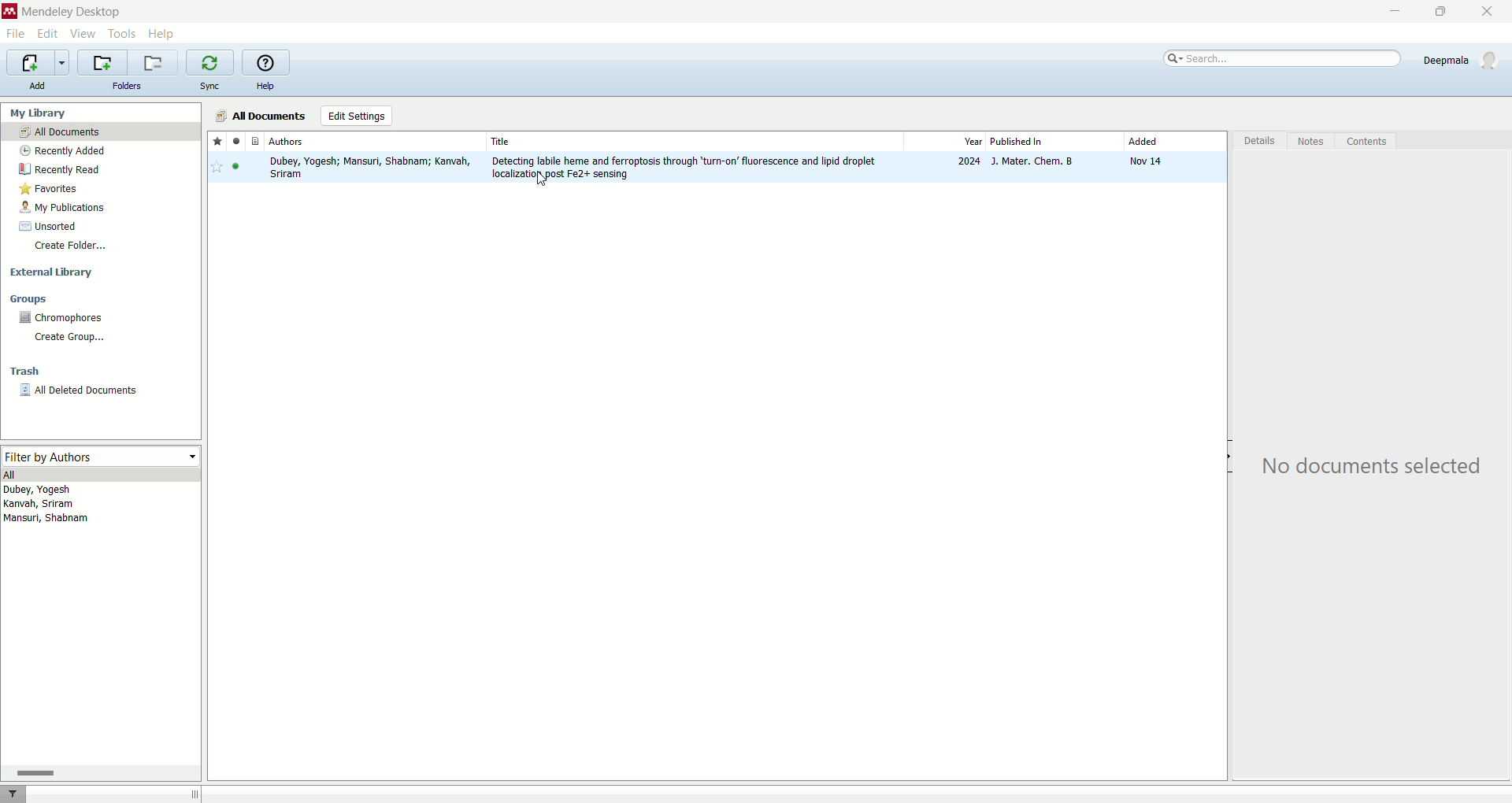 The width and height of the screenshot is (1512, 803). Describe the element at coordinates (102, 62) in the screenshot. I see `add a new folder` at that location.